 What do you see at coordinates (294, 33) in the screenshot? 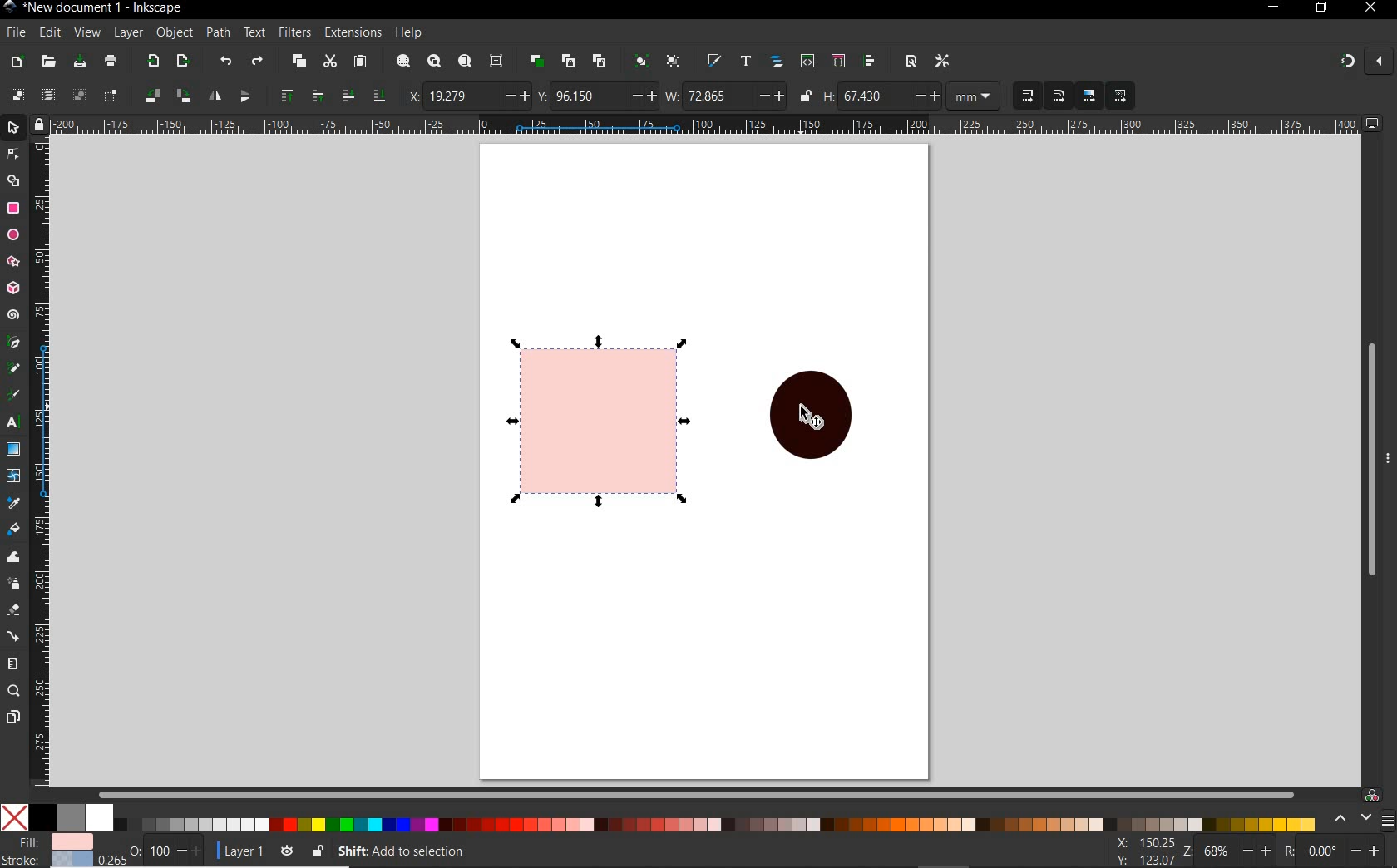
I see `filters` at bounding box center [294, 33].